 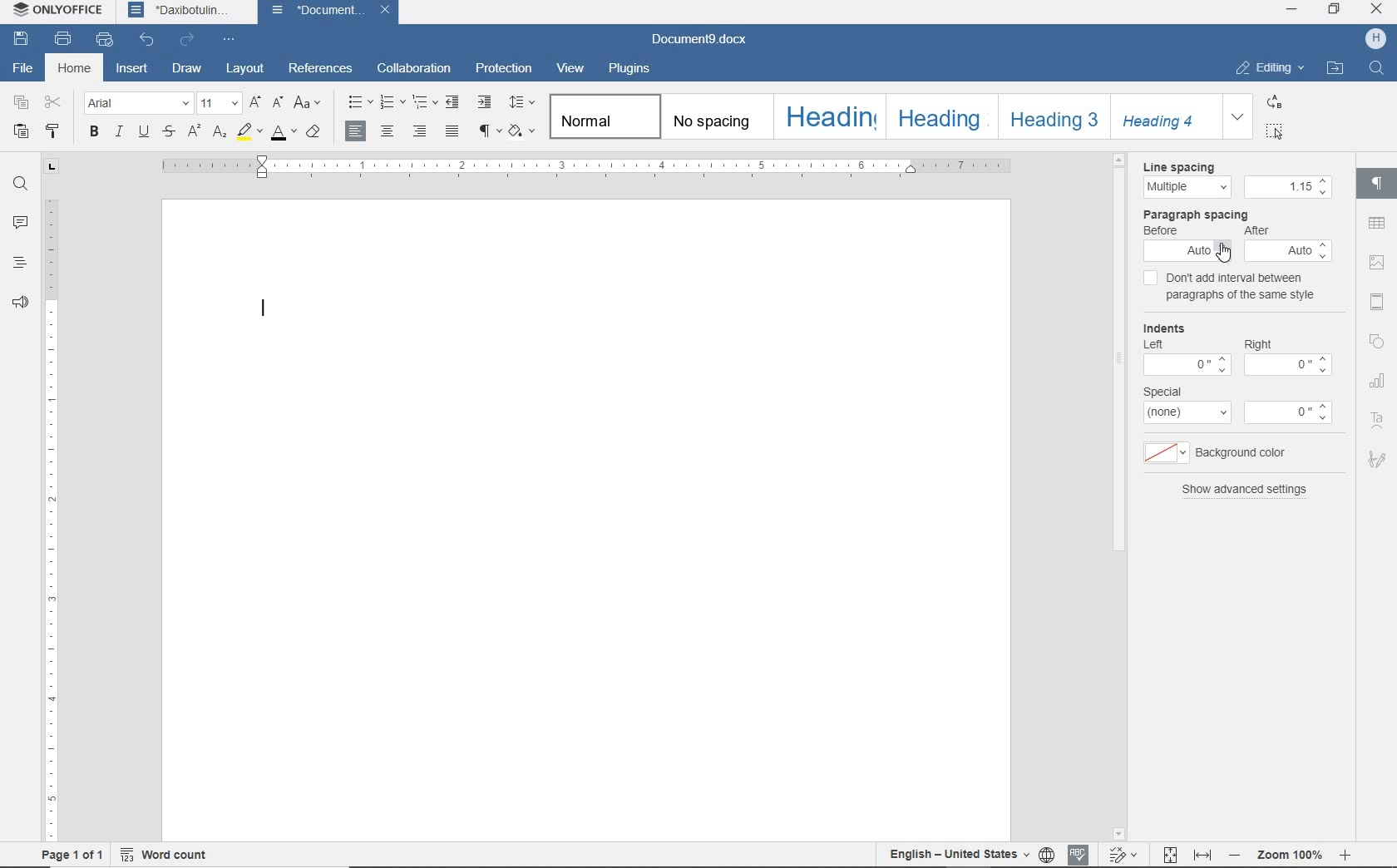 I want to click on font size, so click(x=220, y=104).